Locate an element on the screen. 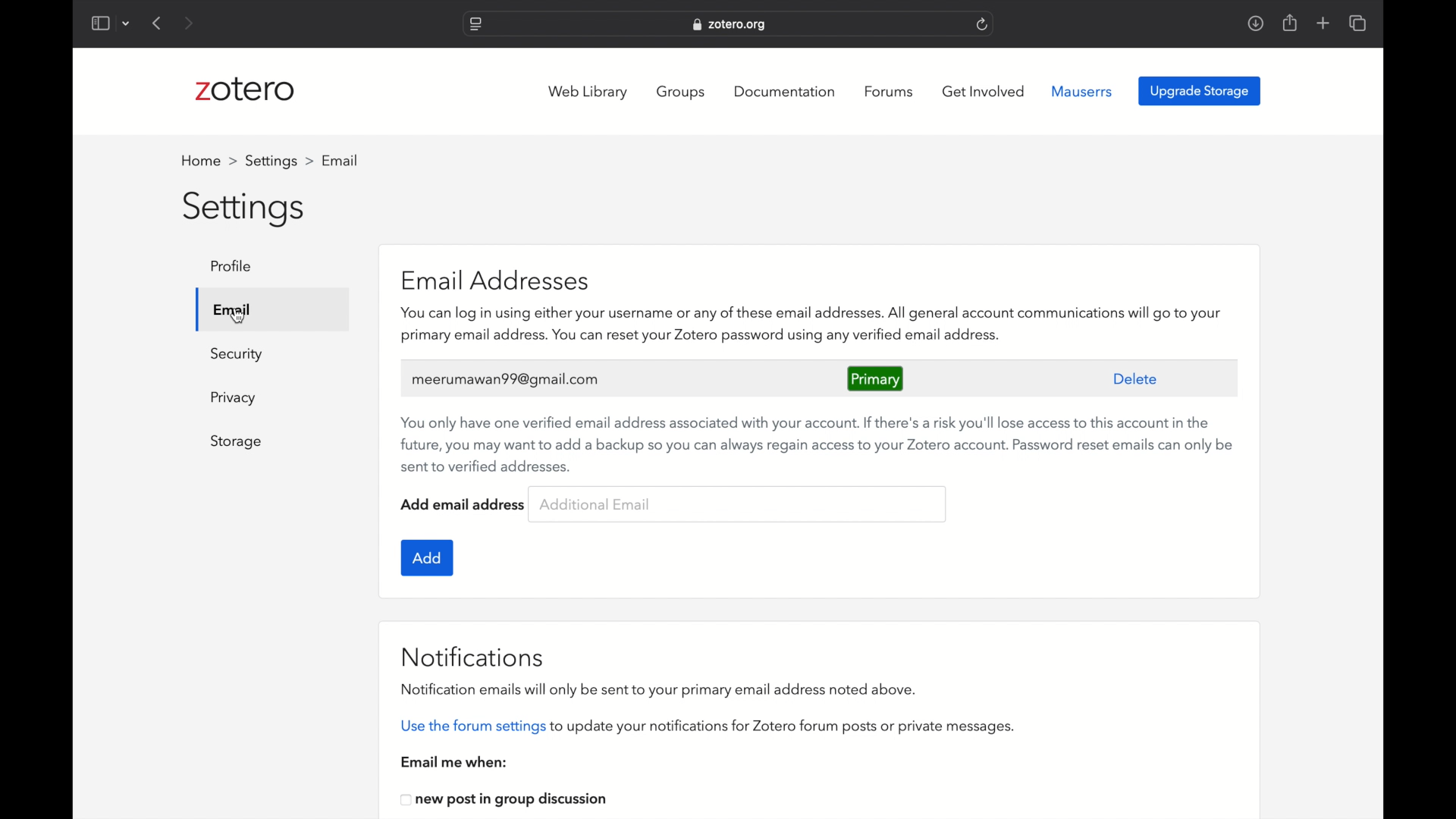 Image resolution: width=1456 pixels, height=819 pixels. show tab overview is located at coordinates (1359, 23).